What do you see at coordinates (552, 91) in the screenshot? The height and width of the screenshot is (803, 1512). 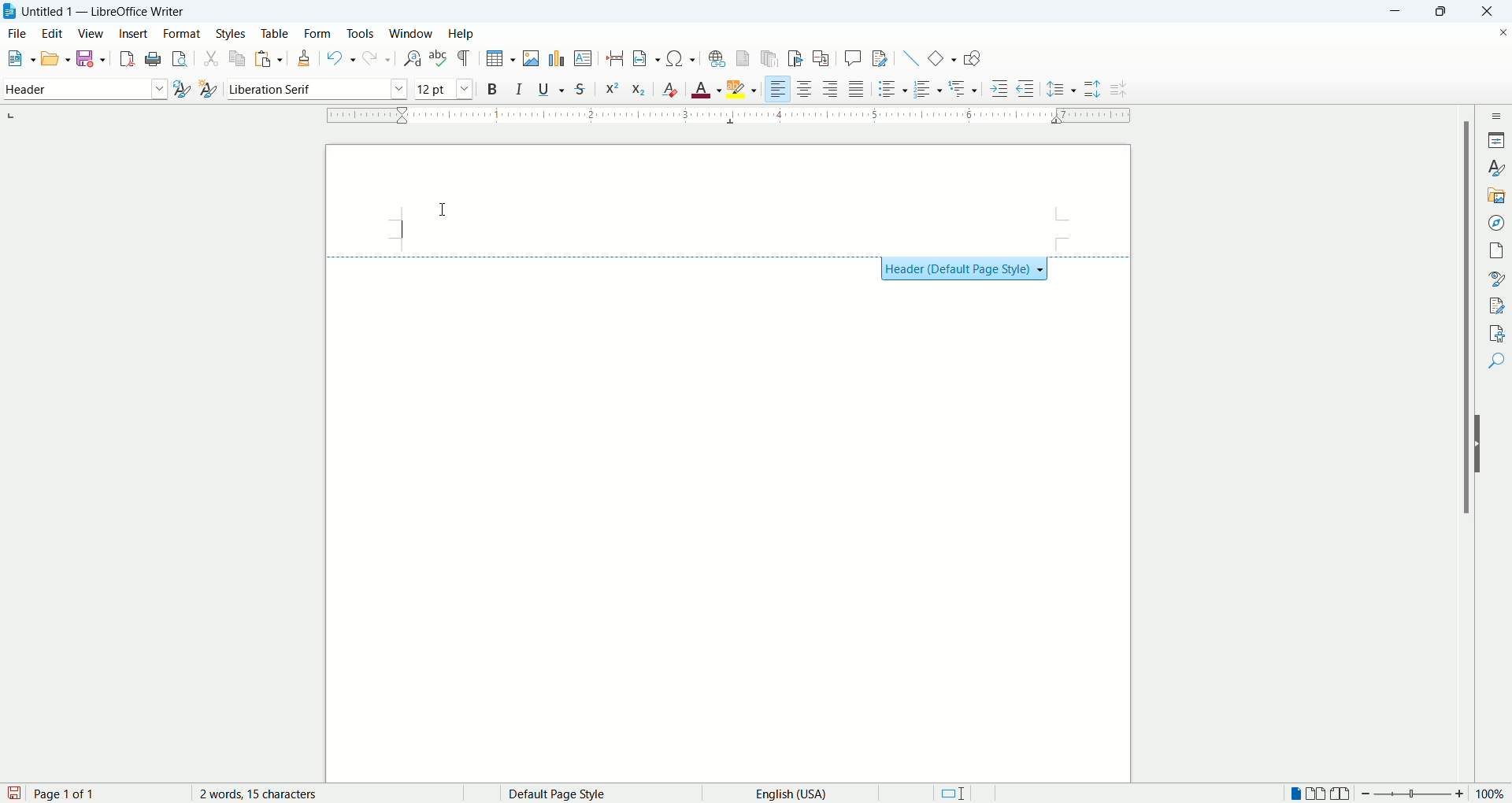 I see `underline` at bounding box center [552, 91].